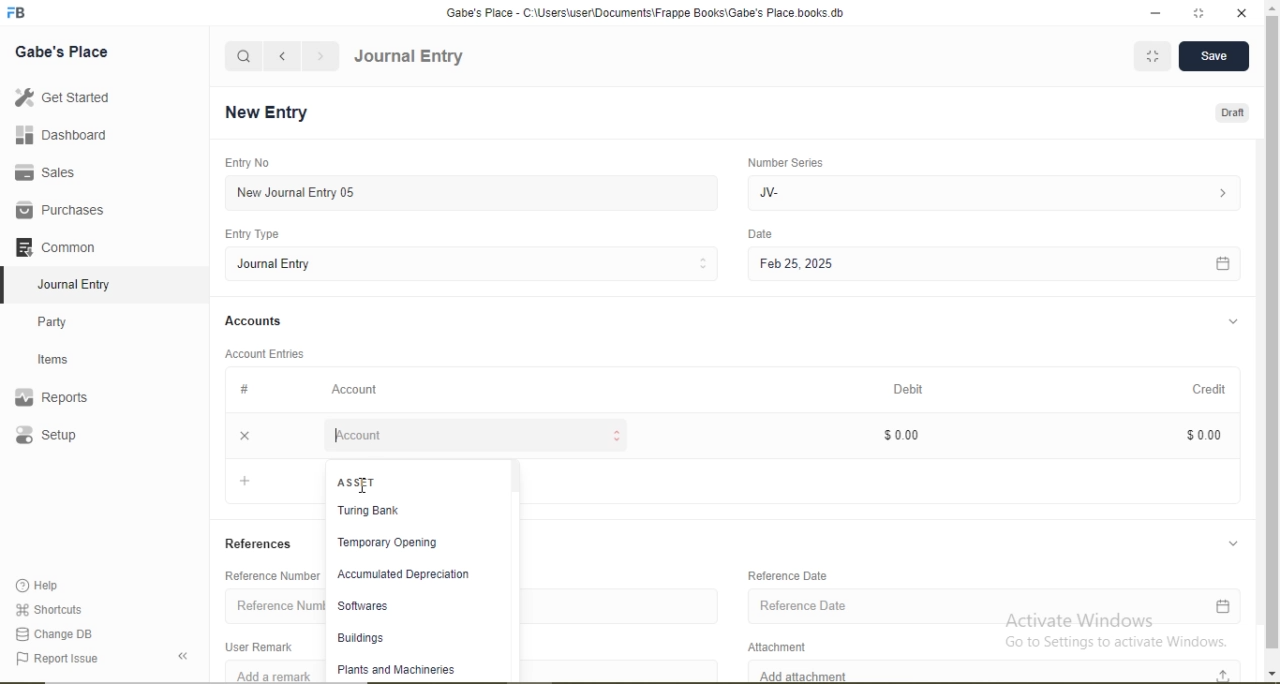  Describe the element at coordinates (264, 645) in the screenshot. I see `User Remark` at that location.